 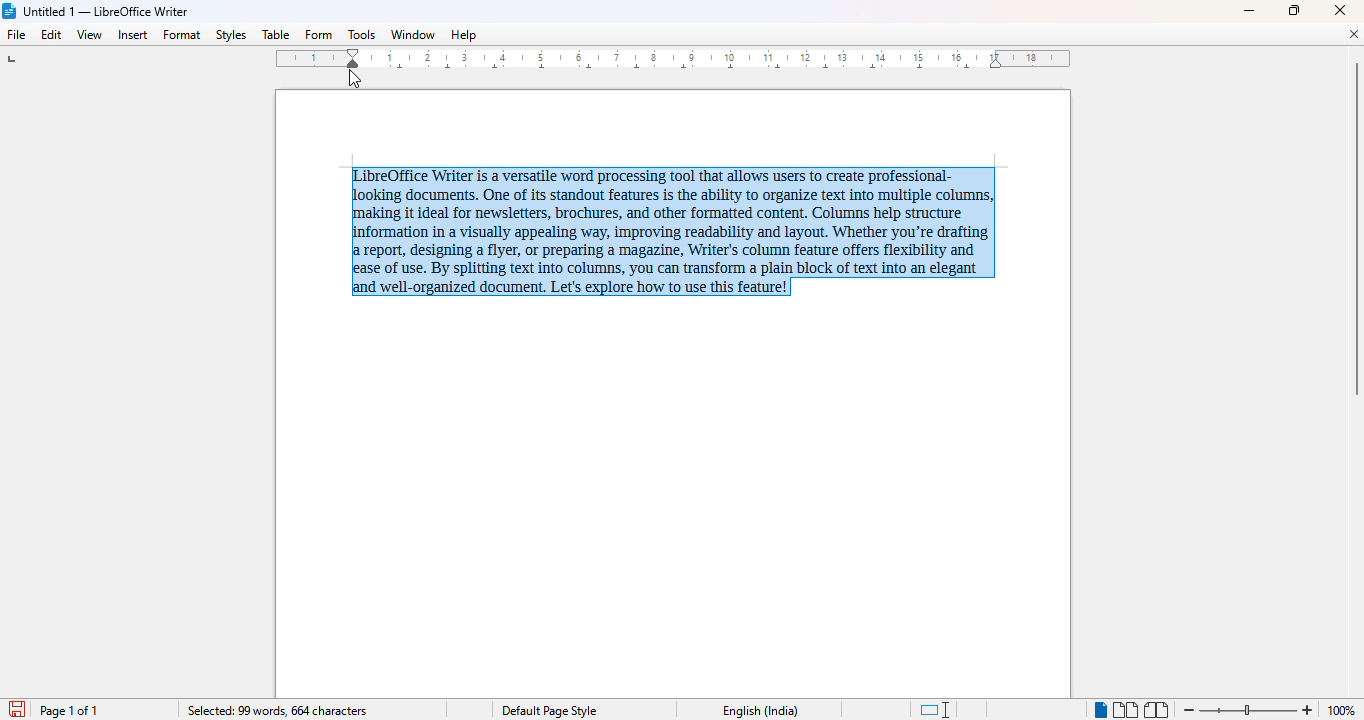 I want to click on page 1 of 1, so click(x=72, y=711).